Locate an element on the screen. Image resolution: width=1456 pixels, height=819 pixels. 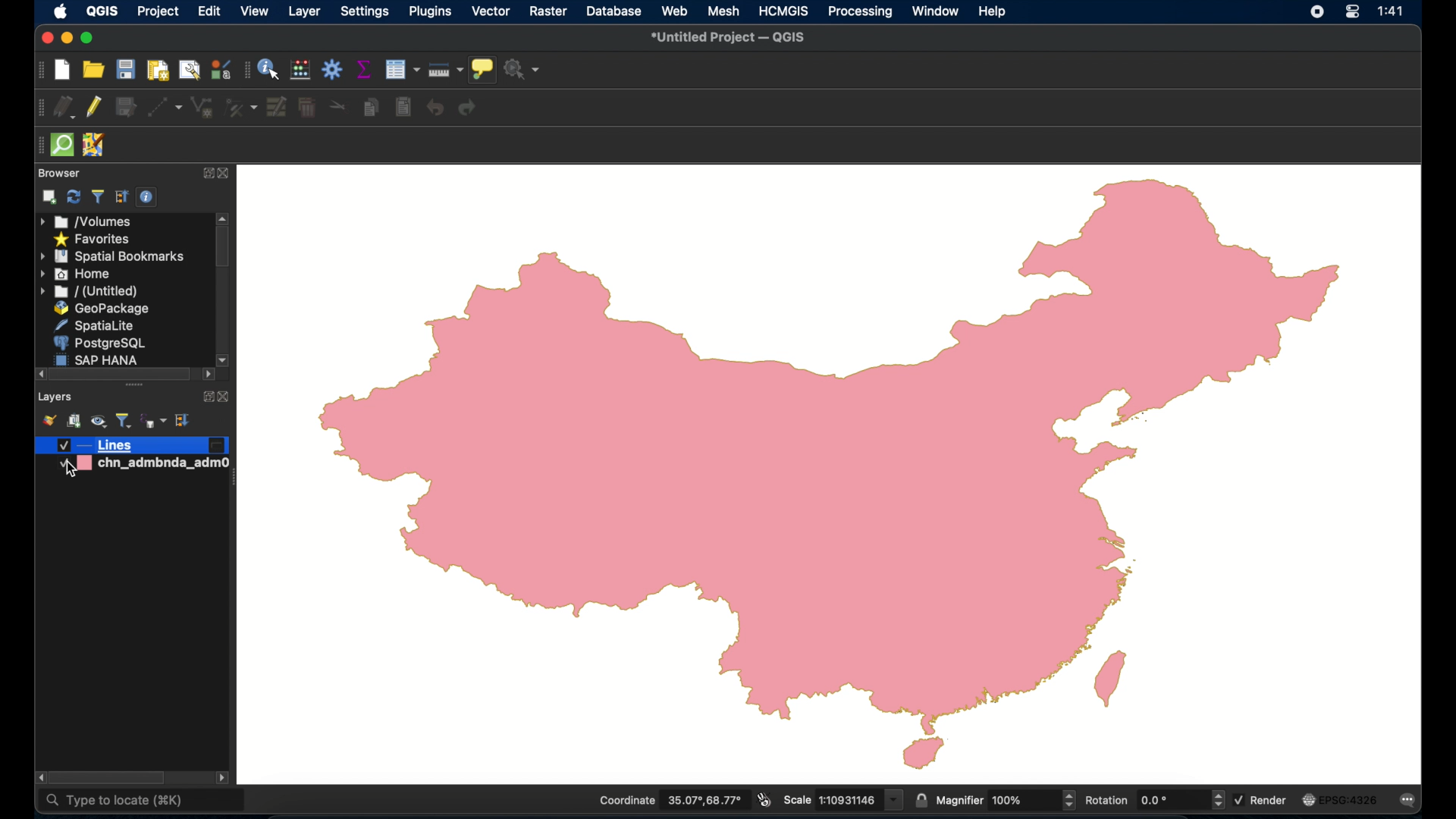
favorites is located at coordinates (95, 240).